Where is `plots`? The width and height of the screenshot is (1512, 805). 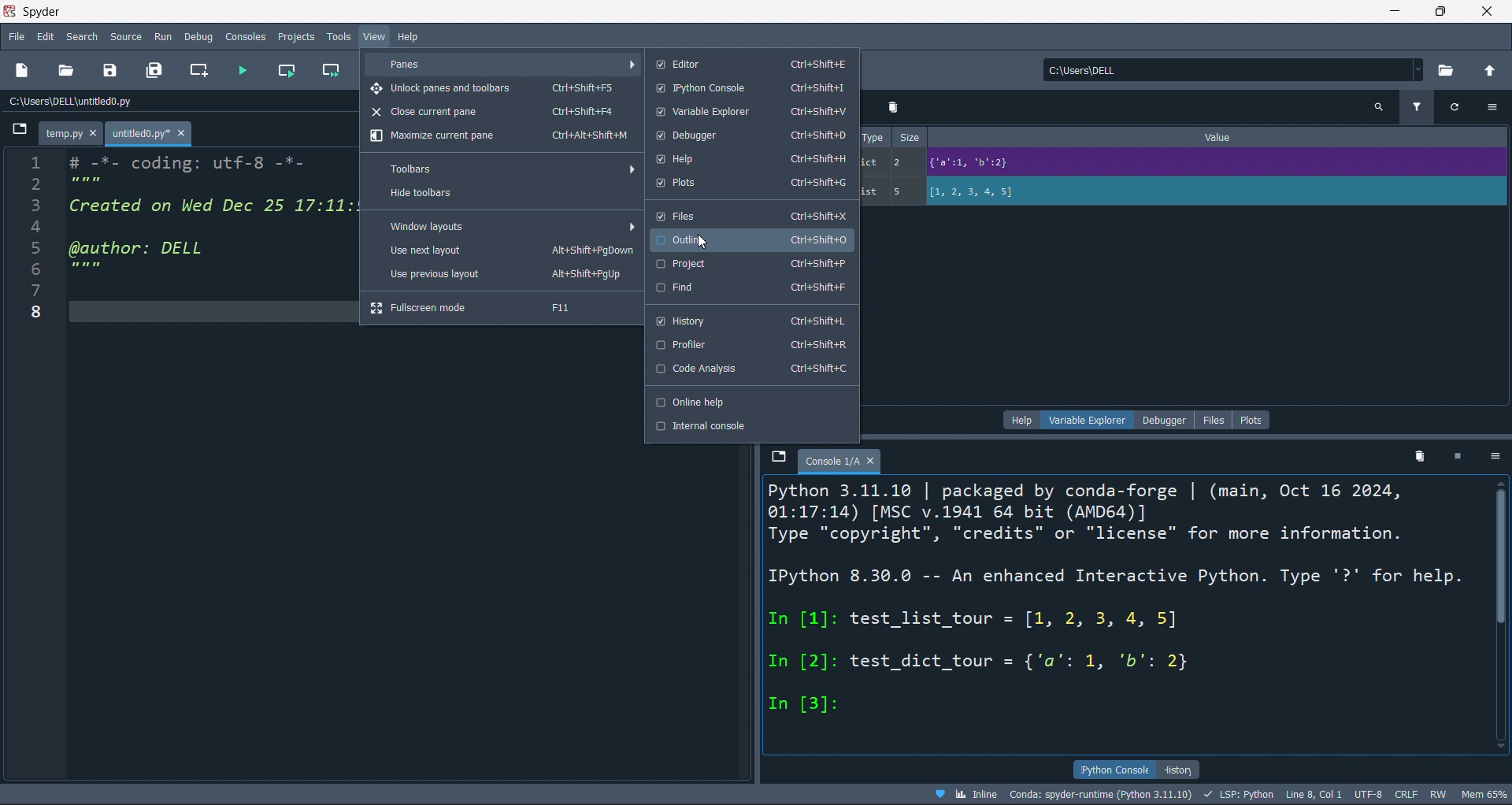 plots is located at coordinates (751, 184).